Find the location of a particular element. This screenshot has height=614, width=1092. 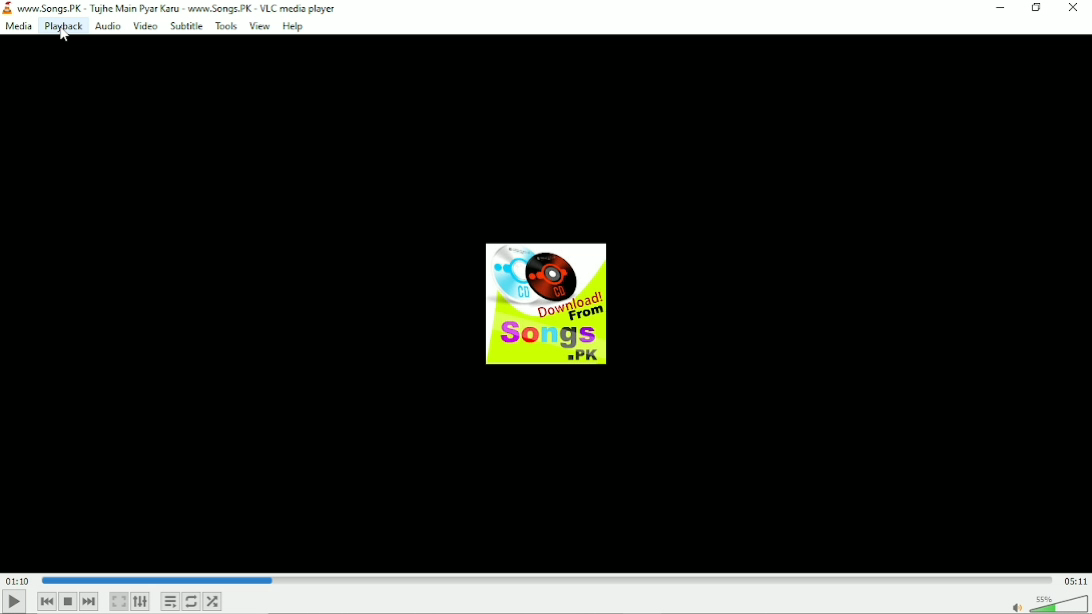

application logo is located at coordinates (7, 8).